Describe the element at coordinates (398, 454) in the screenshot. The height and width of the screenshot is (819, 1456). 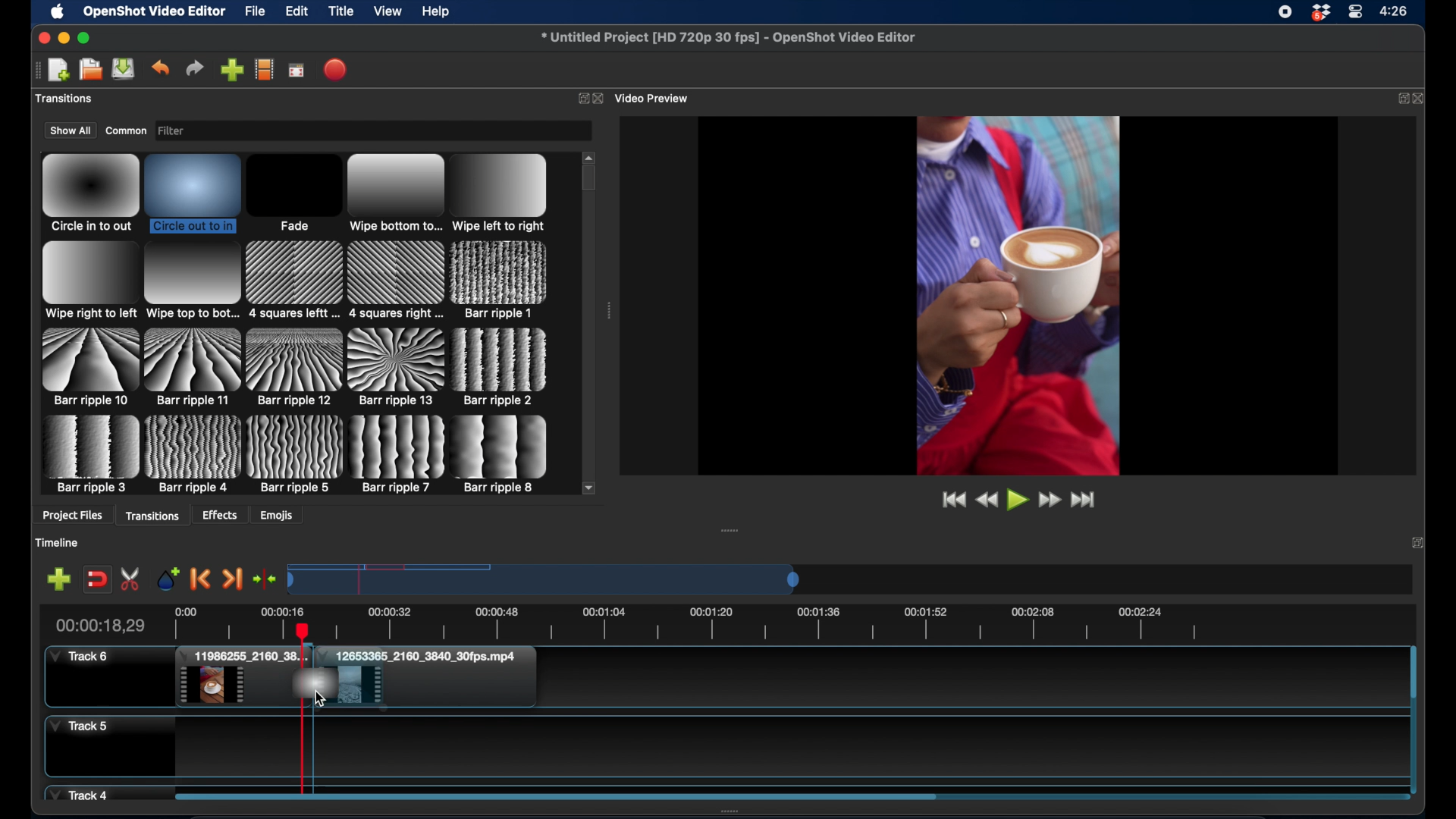
I see `transition` at that location.